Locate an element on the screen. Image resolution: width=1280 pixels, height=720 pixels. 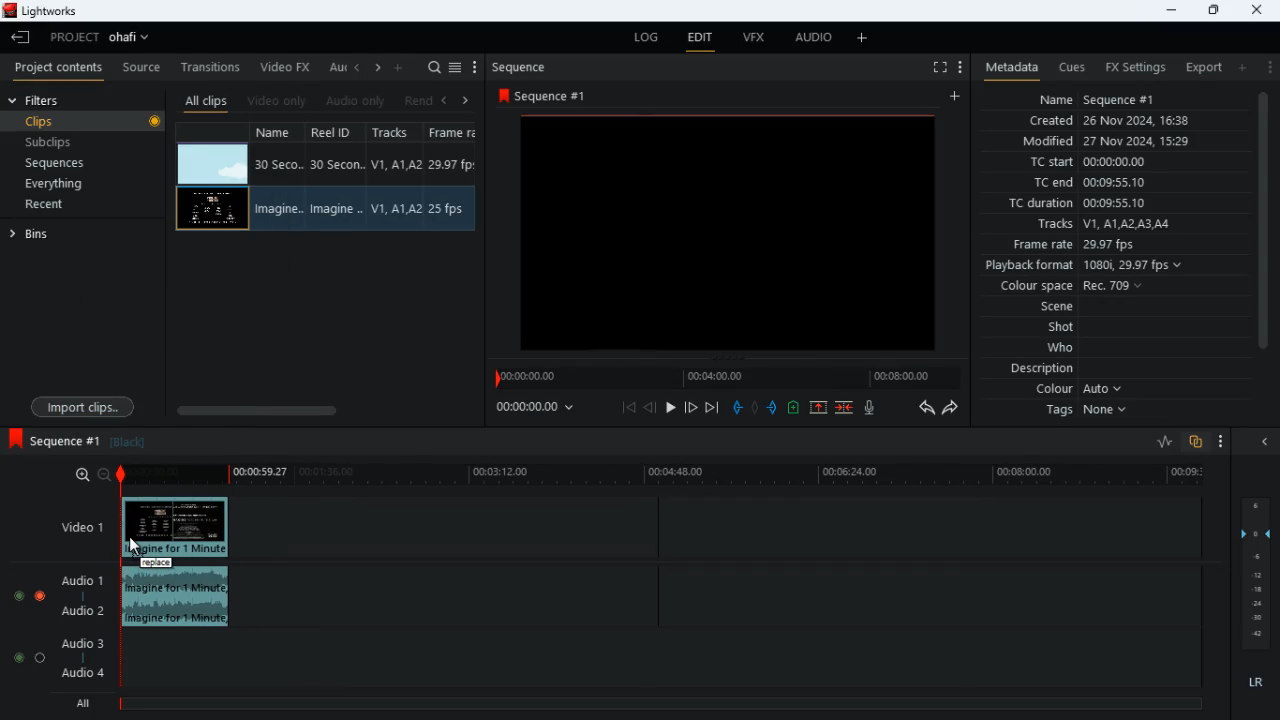
toggle is located at coordinates (41, 657).